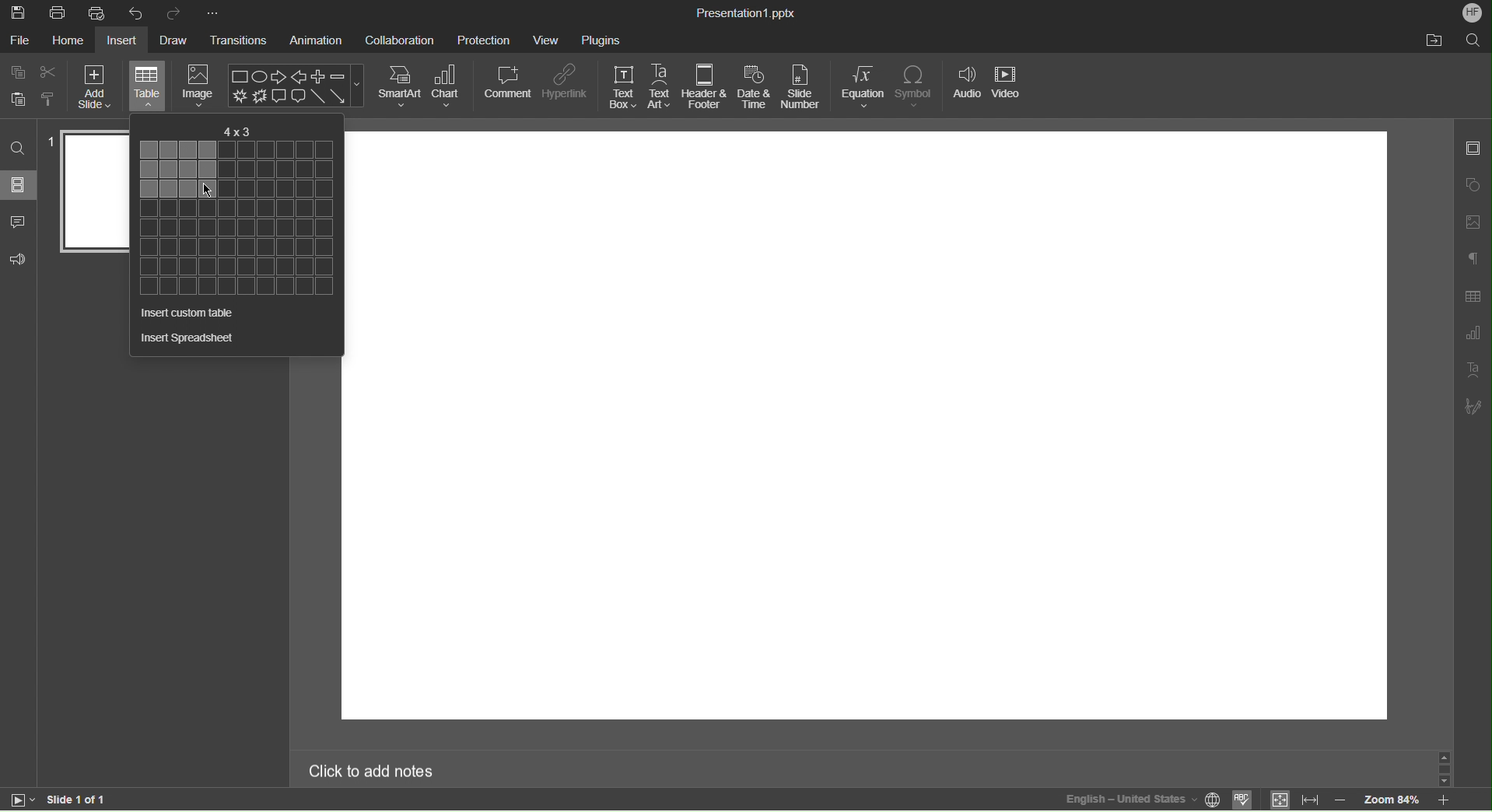  What do you see at coordinates (140, 12) in the screenshot?
I see `Undo` at bounding box center [140, 12].